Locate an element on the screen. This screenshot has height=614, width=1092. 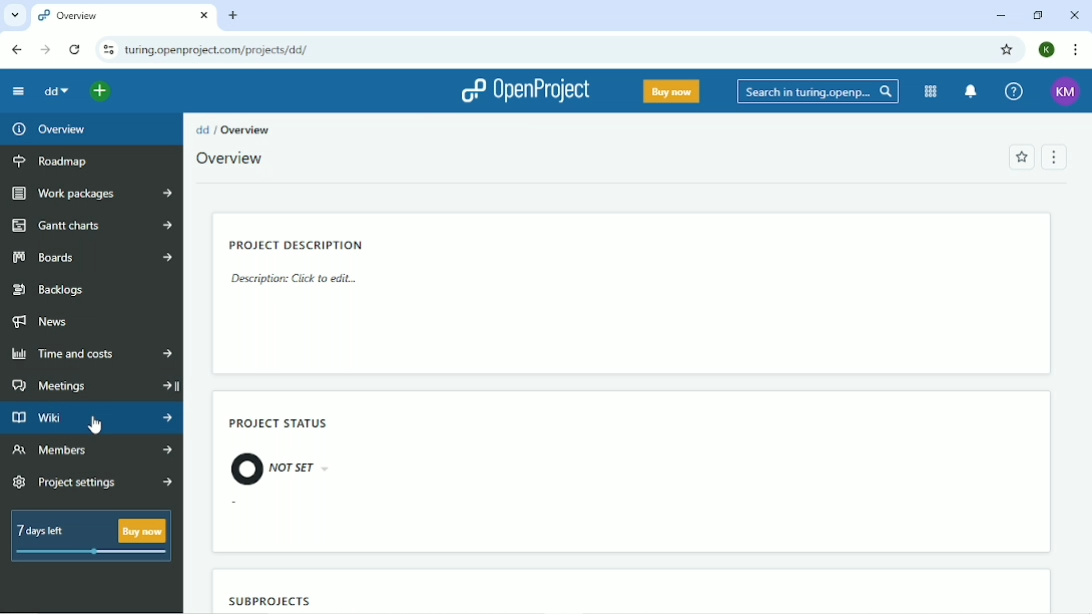
View site information is located at coordinates (106, 50).